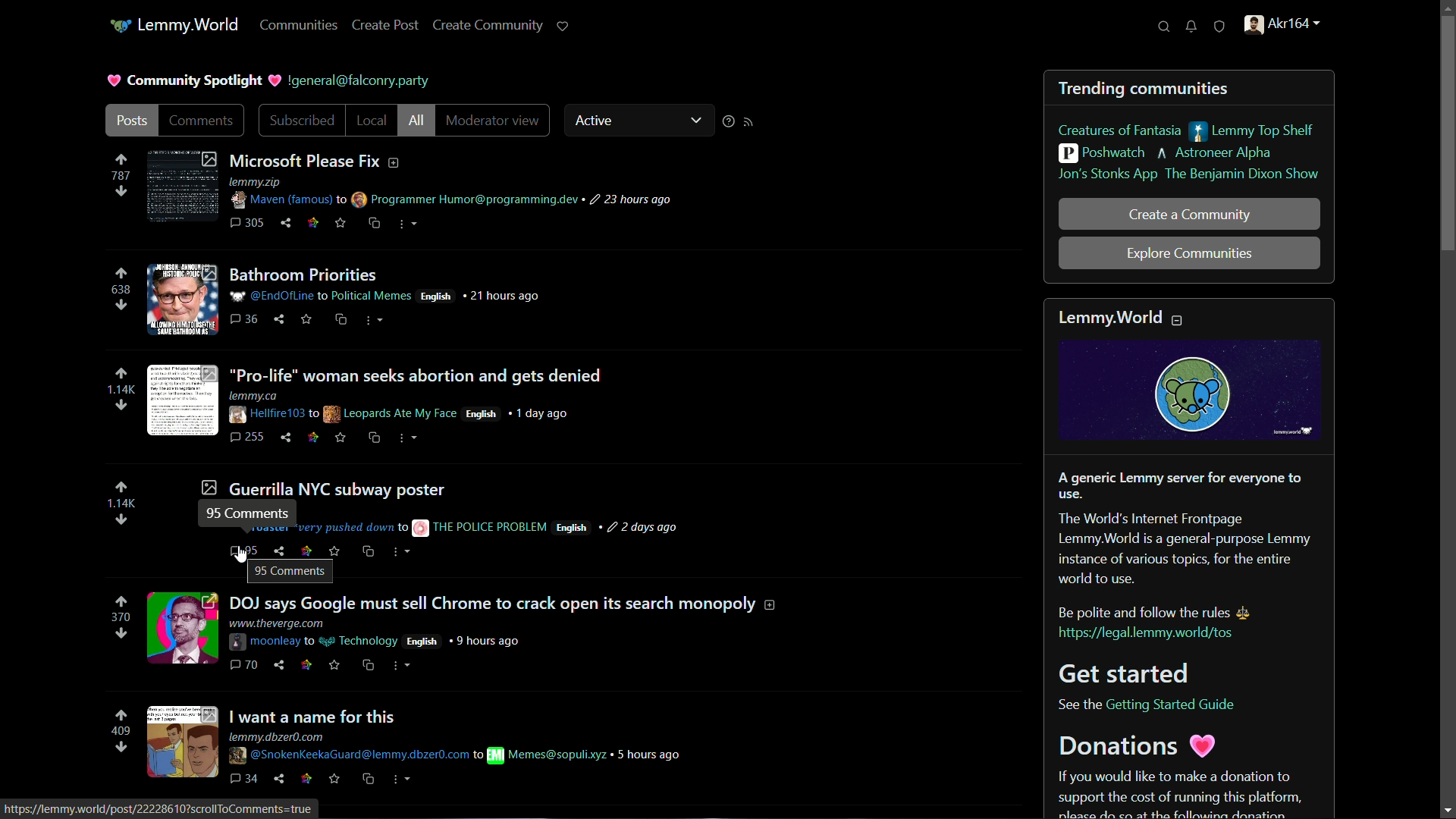  Describe the element at coordinates (272, 414) in the screenshot. I see `hellfire103 to` at that location.